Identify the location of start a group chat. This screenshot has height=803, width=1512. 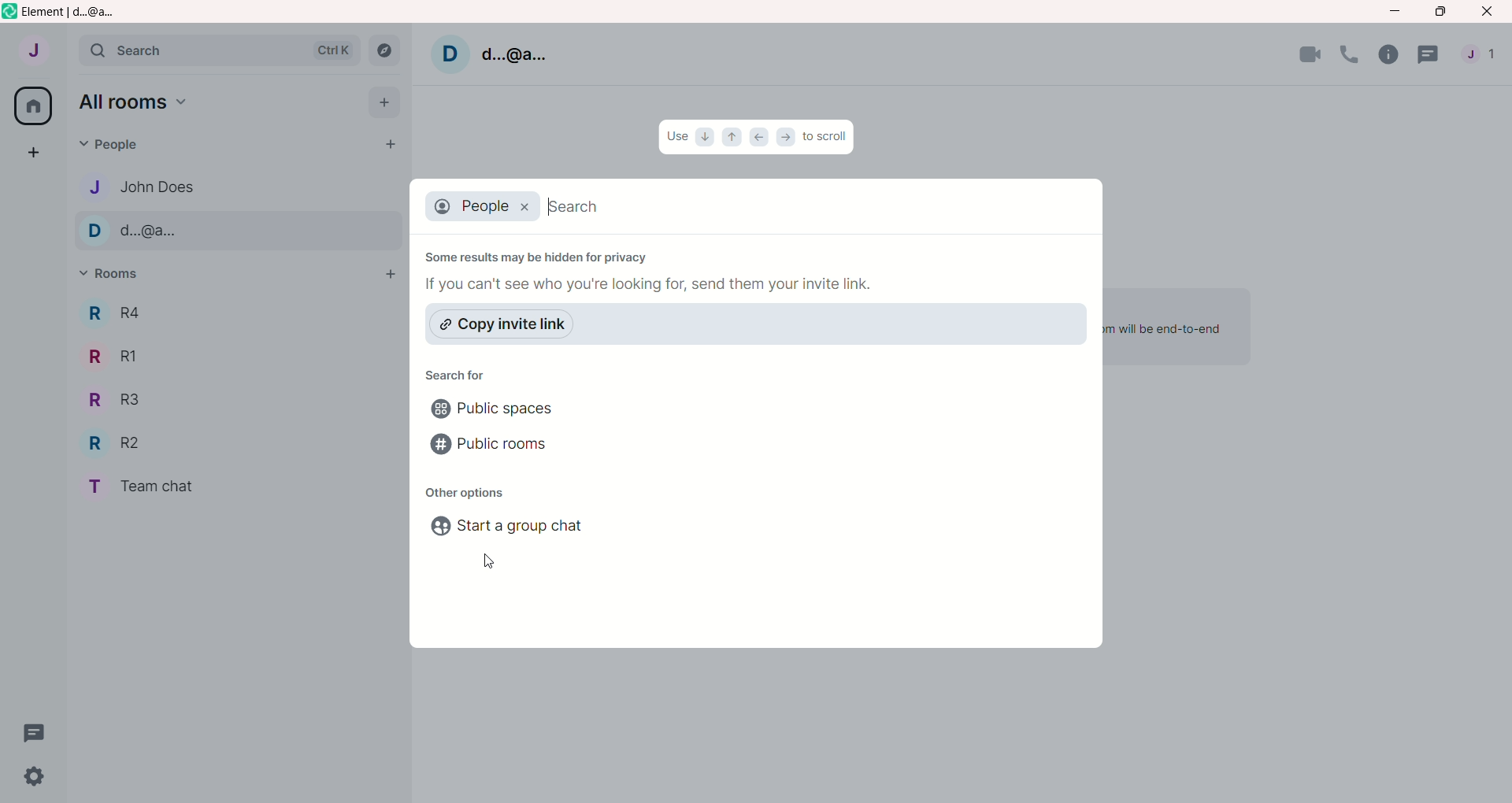
(511, 525).